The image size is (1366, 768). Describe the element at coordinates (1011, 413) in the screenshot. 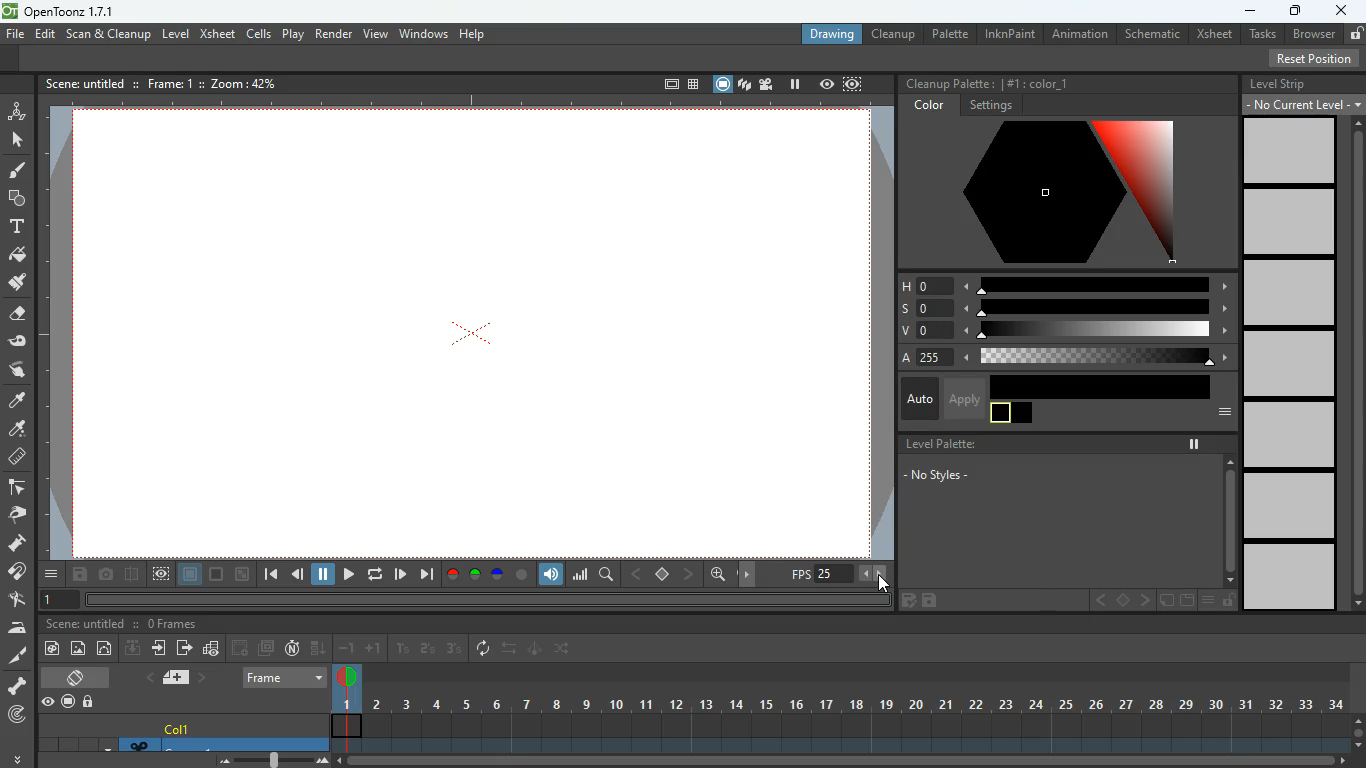

I see `color` at that location.